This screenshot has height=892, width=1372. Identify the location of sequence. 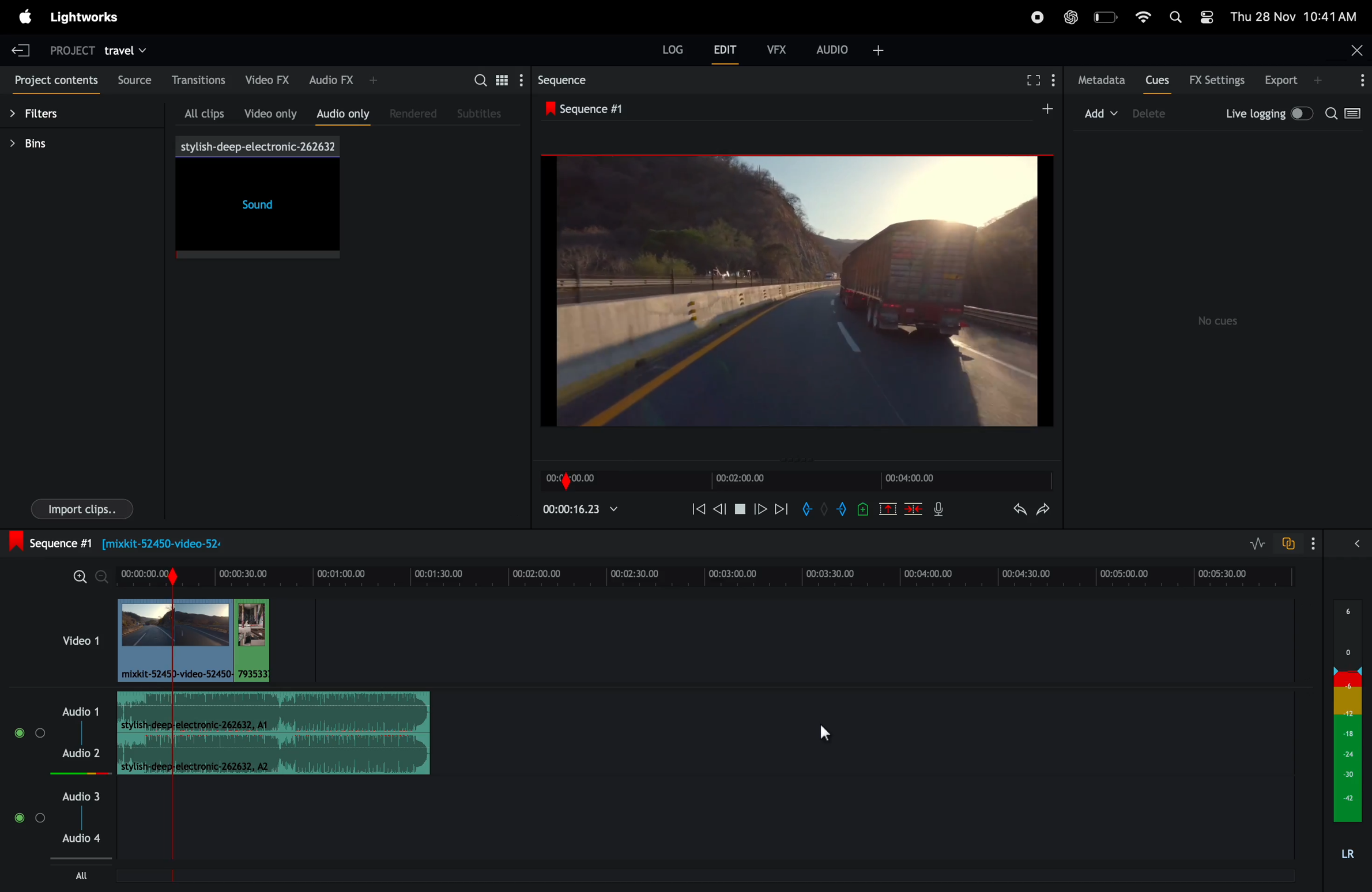
(583, 81).